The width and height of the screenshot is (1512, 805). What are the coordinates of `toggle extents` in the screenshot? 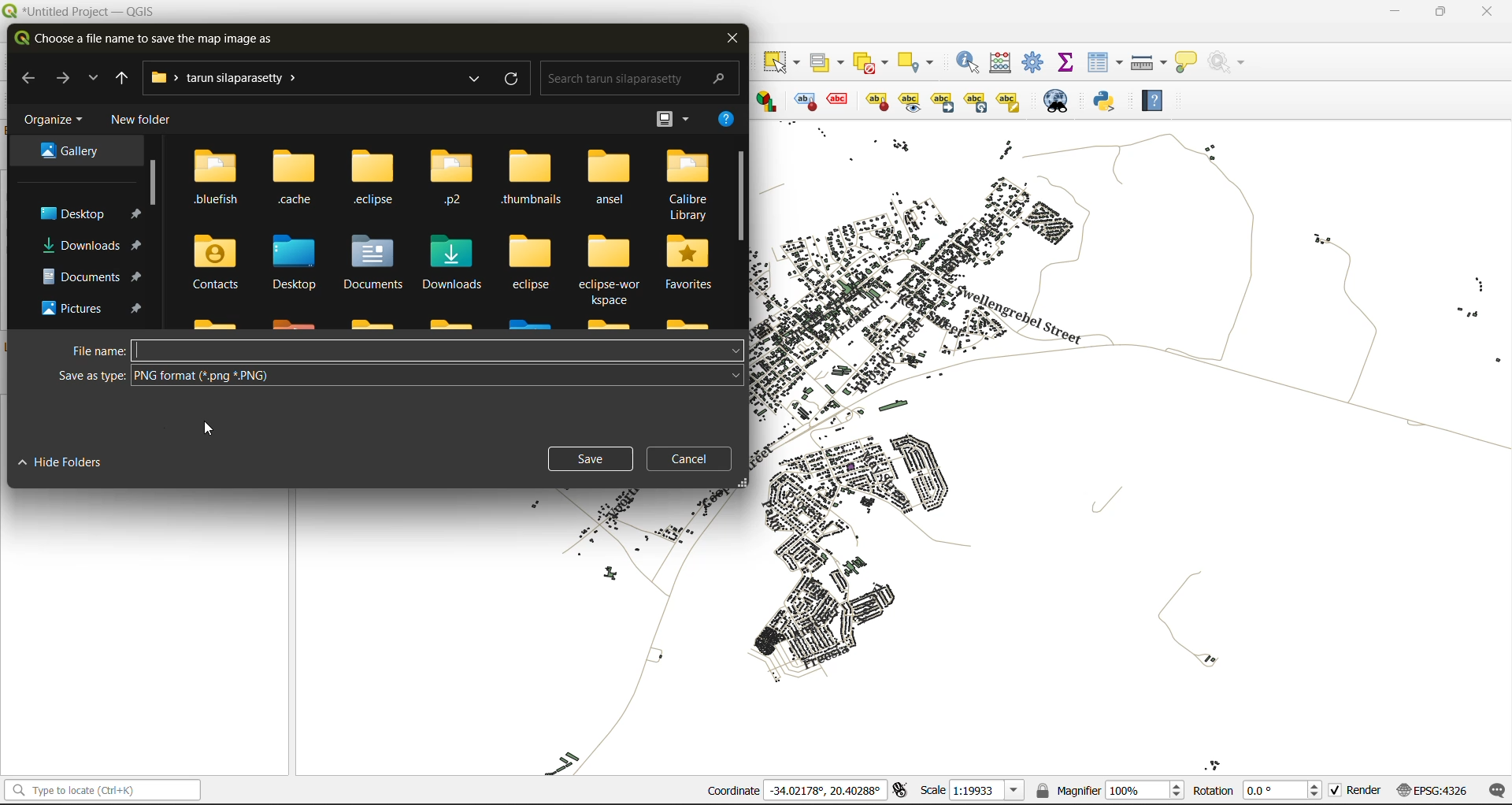 It's located at (899, 791).